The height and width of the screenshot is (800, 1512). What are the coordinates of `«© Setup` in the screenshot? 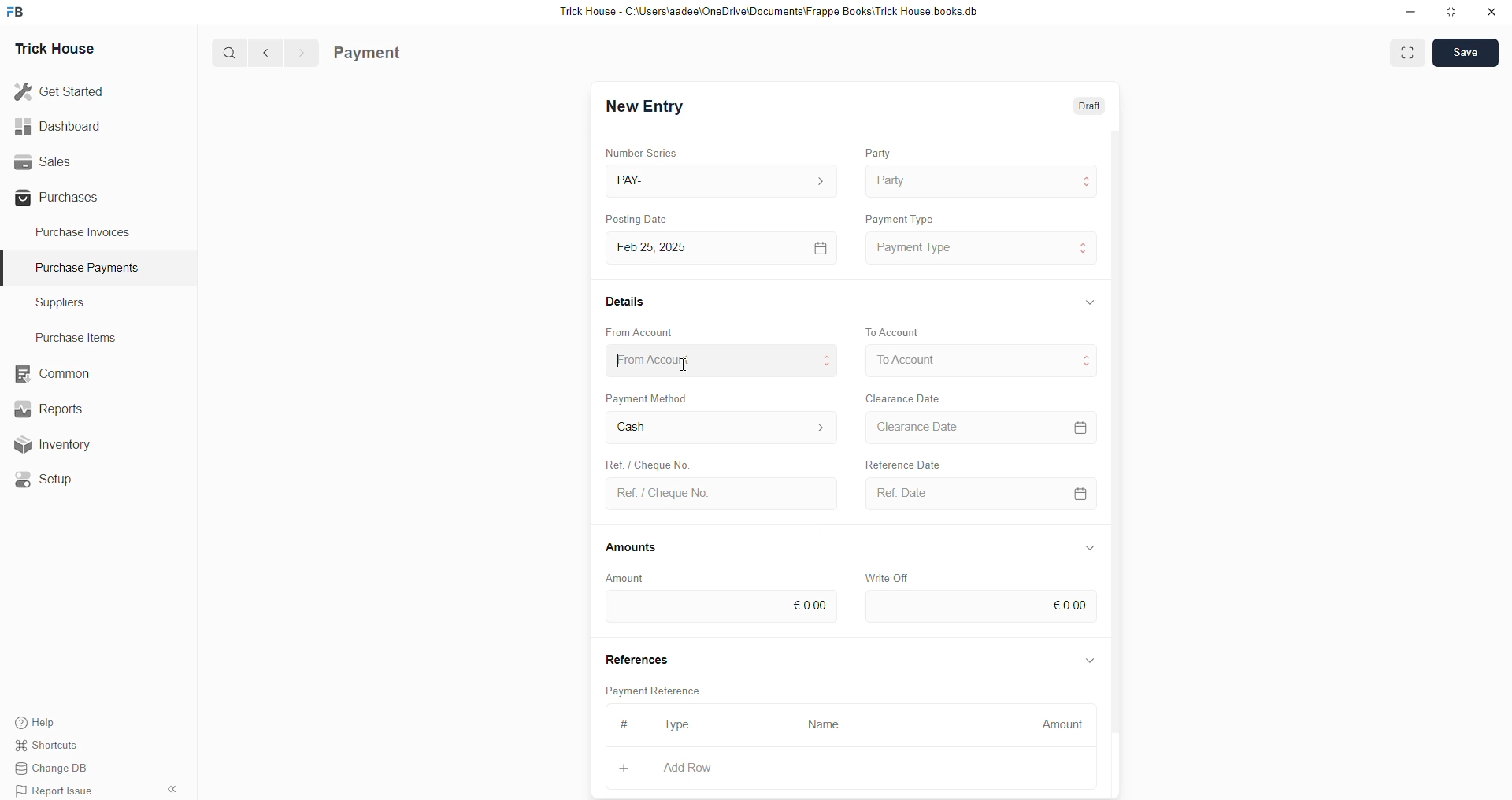 It's located at (49, 480).